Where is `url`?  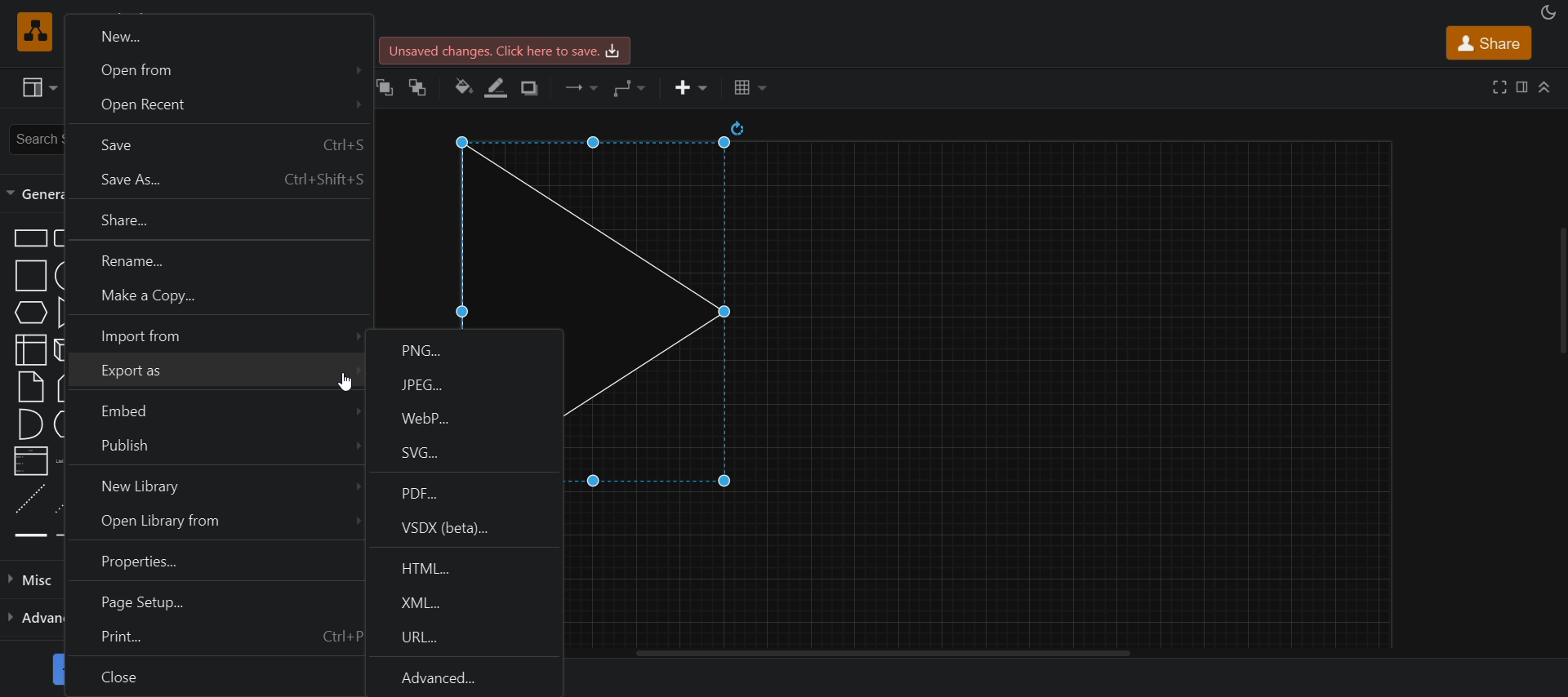
url is located at coordinates (464, 638).